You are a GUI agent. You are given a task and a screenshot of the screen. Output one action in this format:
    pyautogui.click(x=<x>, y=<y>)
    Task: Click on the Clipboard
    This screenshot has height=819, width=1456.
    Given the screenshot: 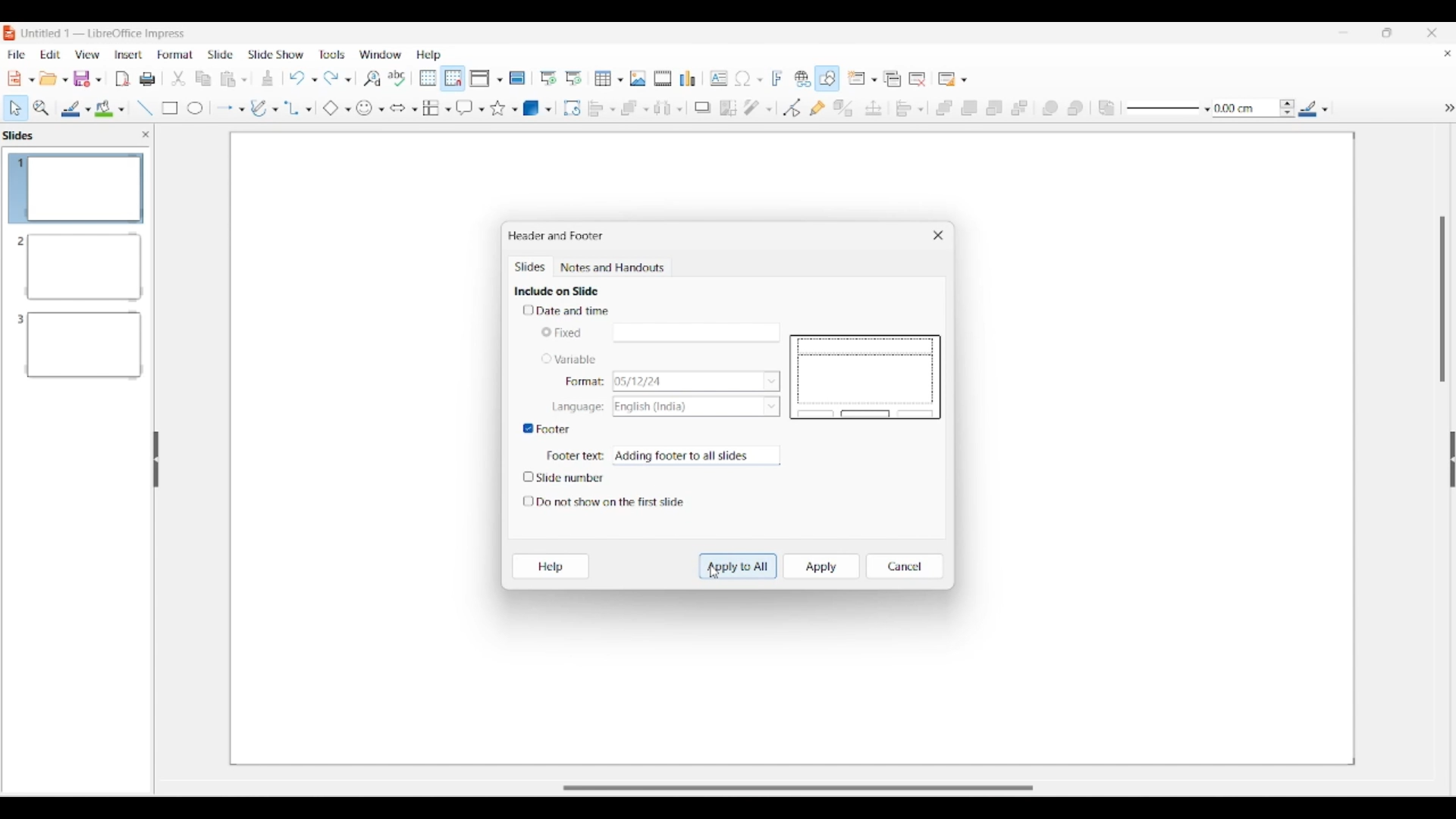 What is the action you would take?
    pyautogui.click(x=229, y=79)
    